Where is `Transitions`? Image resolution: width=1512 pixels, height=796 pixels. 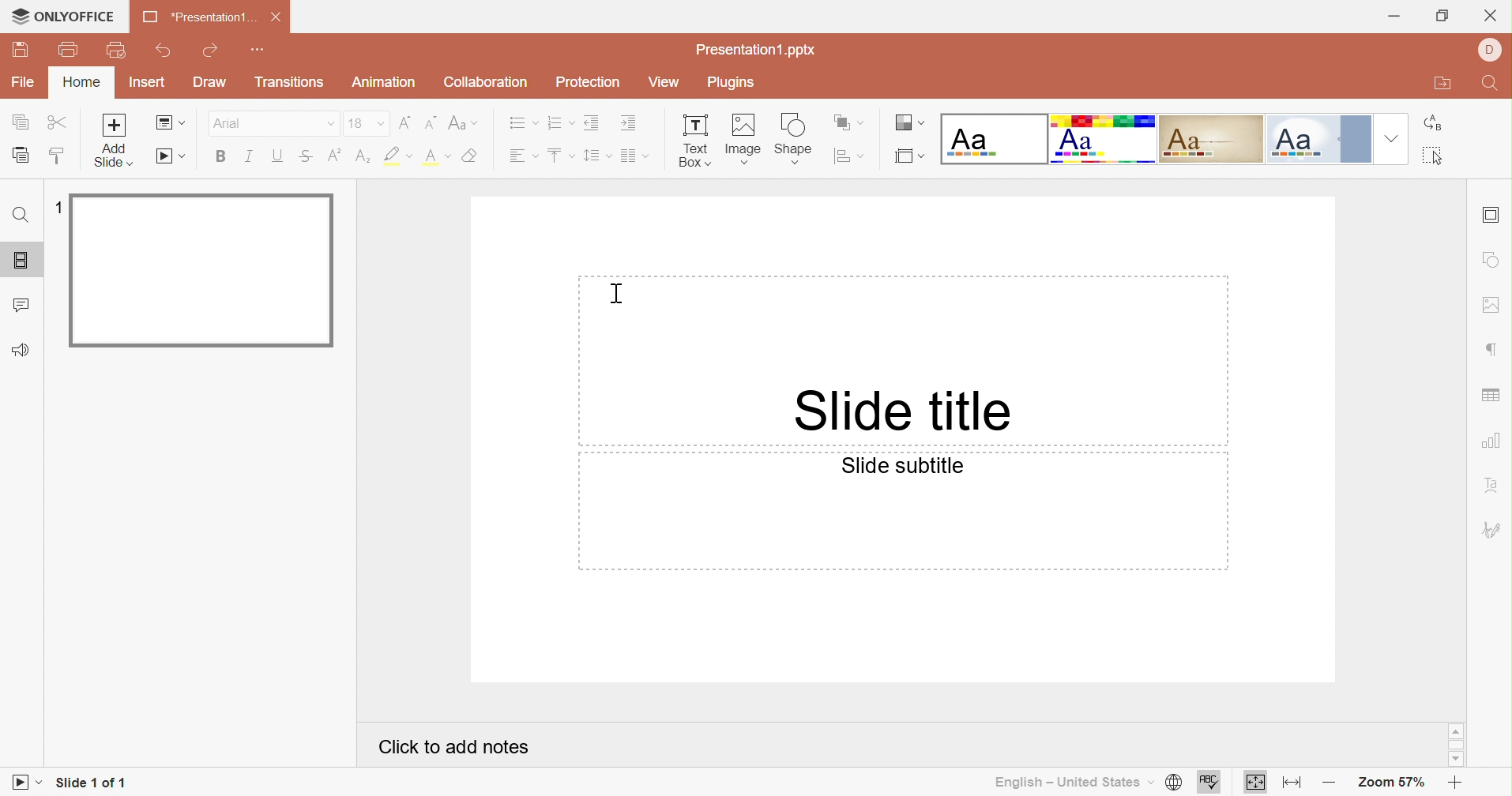
Transitions is located at coordinates (291, 84).